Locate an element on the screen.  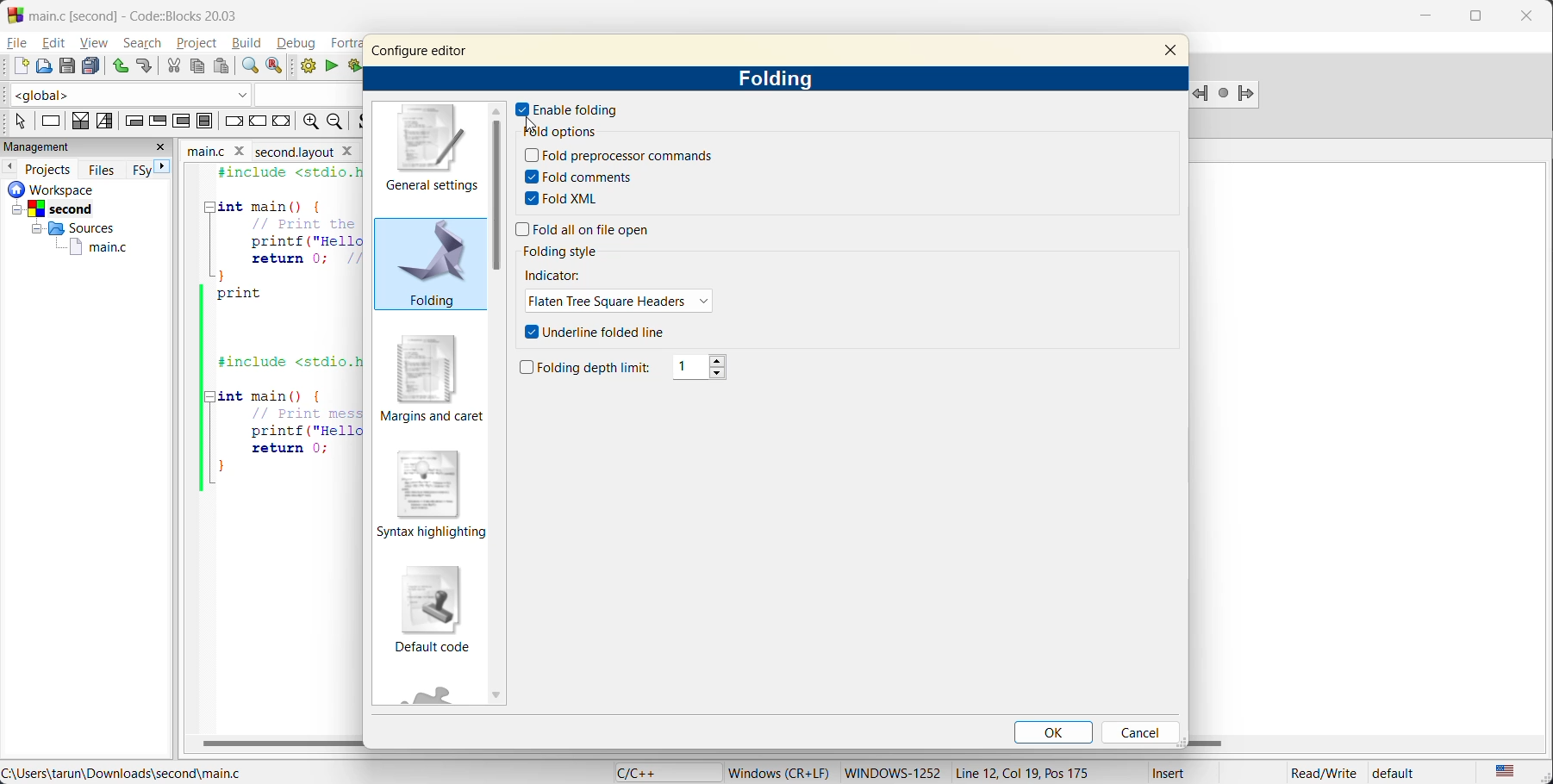
projects is located at coordinates (47, 170).